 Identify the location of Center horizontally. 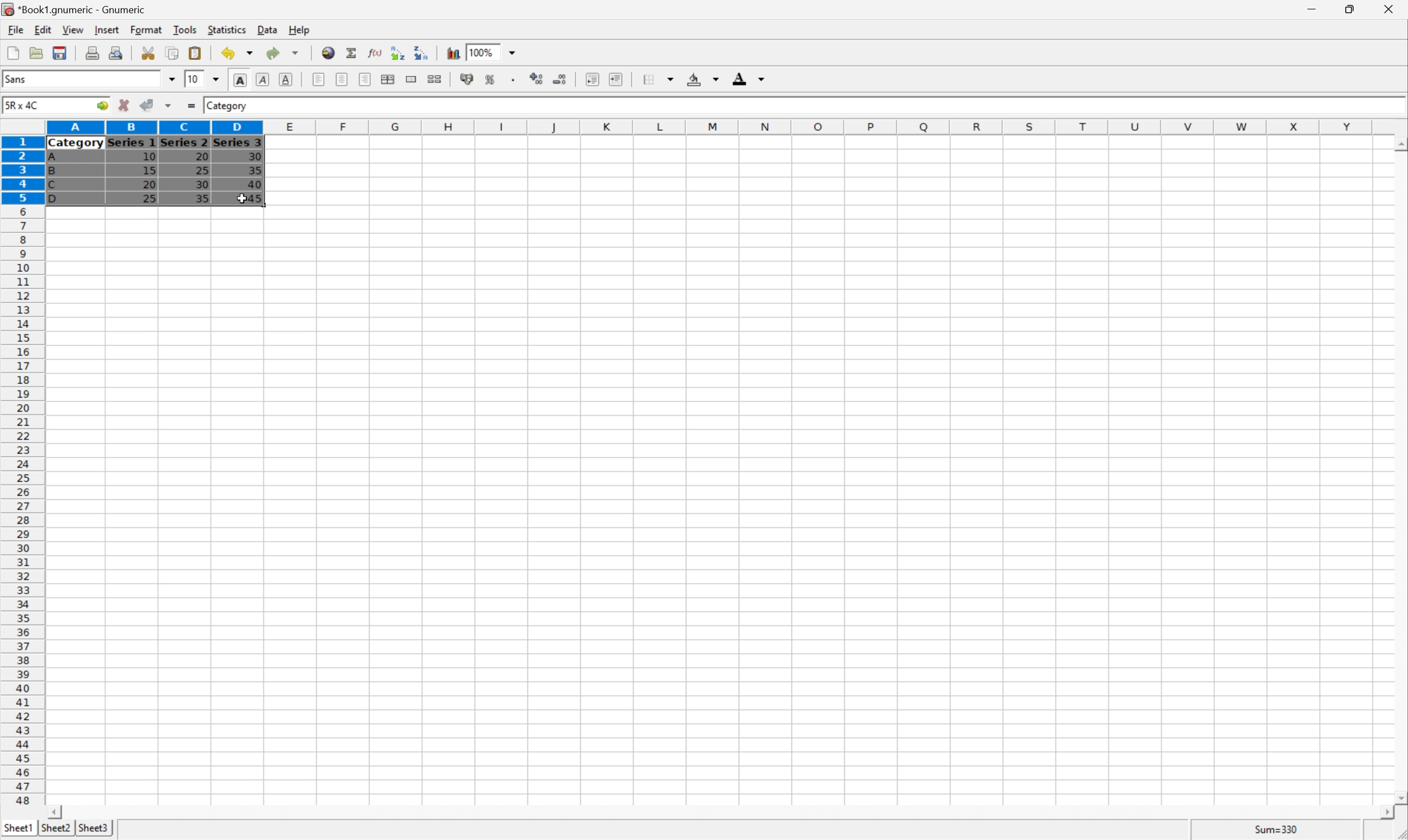
(343, 78).